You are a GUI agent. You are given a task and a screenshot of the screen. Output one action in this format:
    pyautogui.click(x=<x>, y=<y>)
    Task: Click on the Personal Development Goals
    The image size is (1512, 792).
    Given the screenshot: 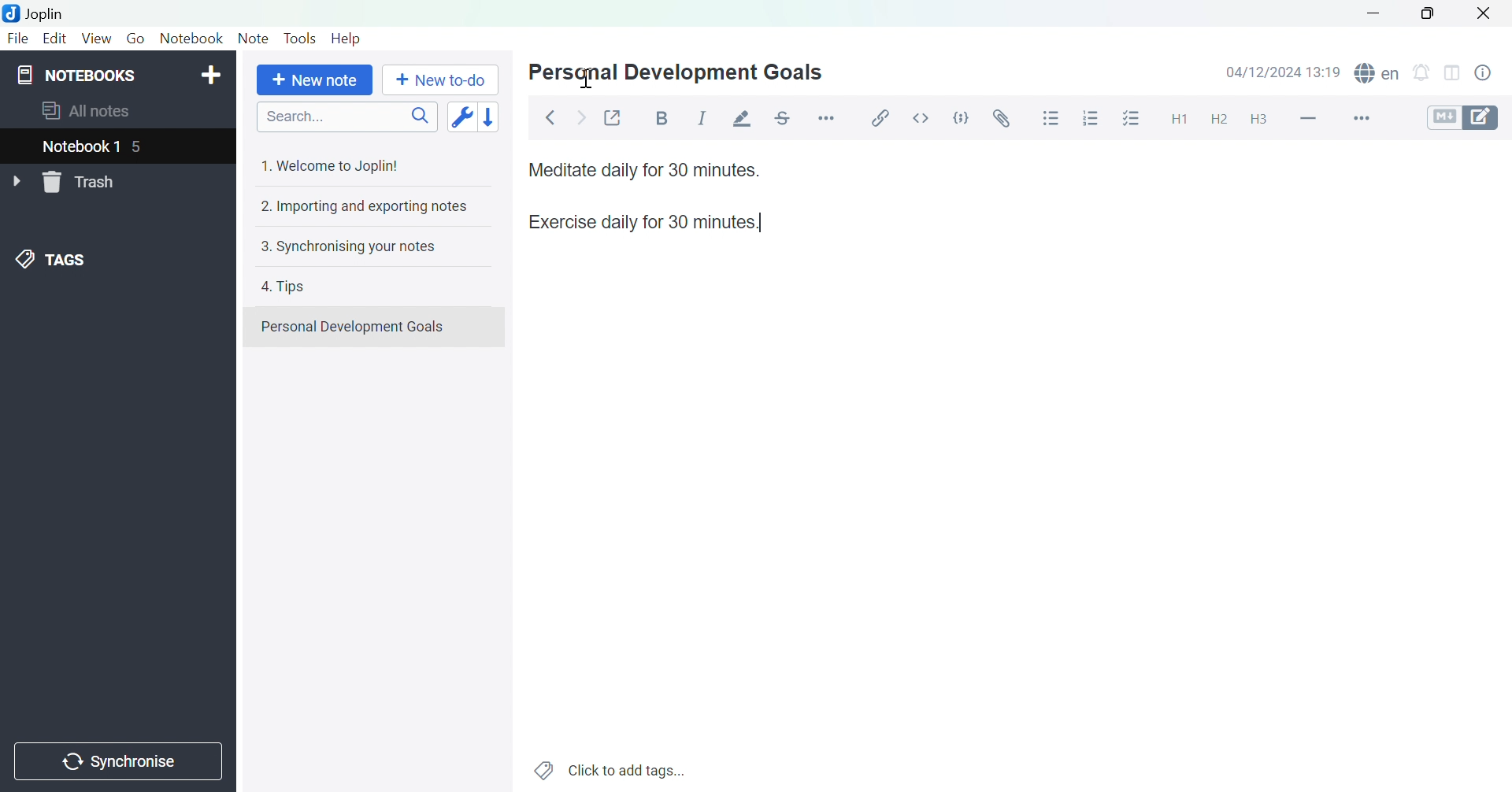 What is the action you would take?
    pyautogui.click(x=353, y=327)
    